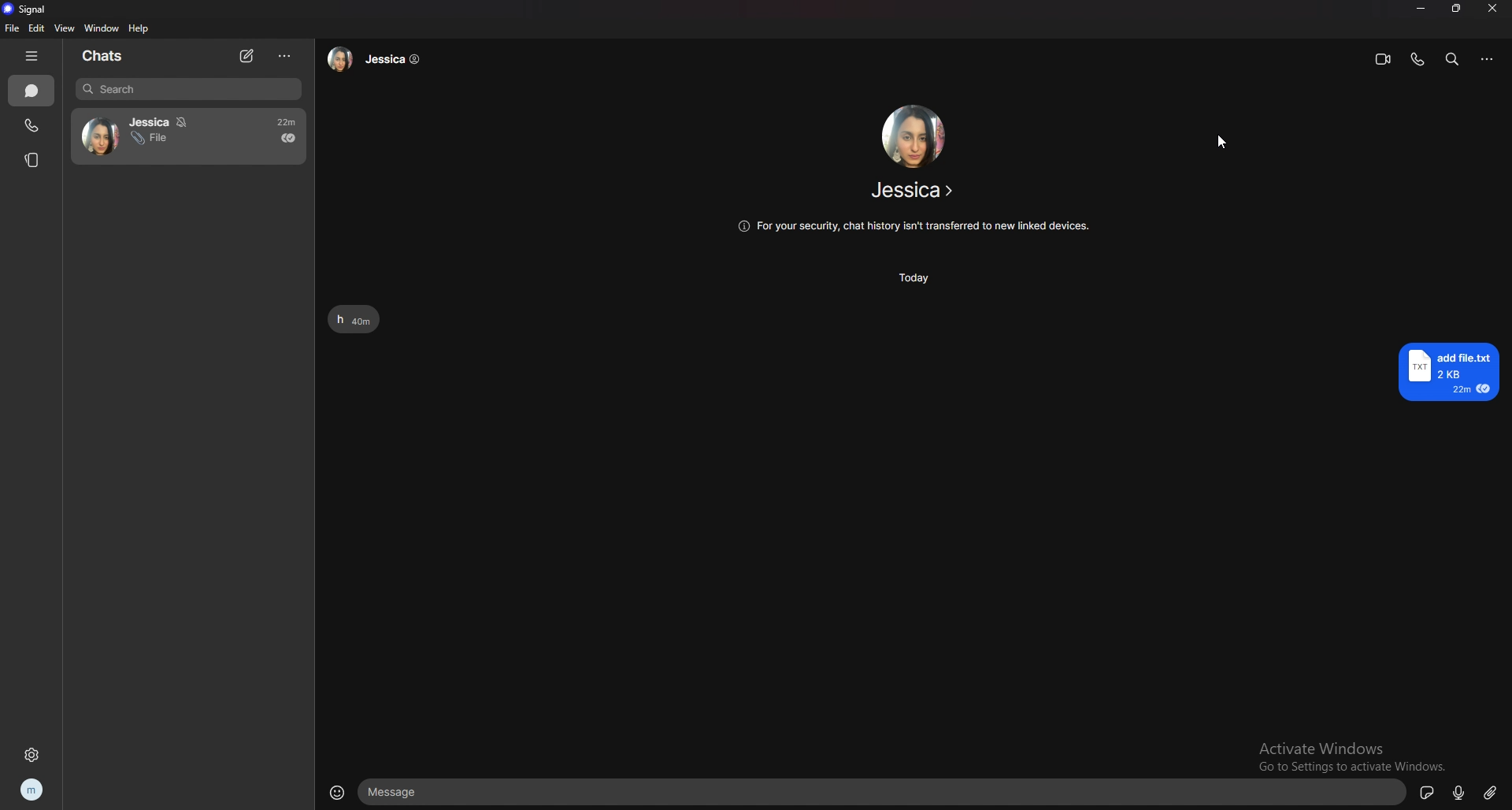  What do you see at coordinates (139, 28) in the screenshot?
I see `help` at bounding box center [139, 28].